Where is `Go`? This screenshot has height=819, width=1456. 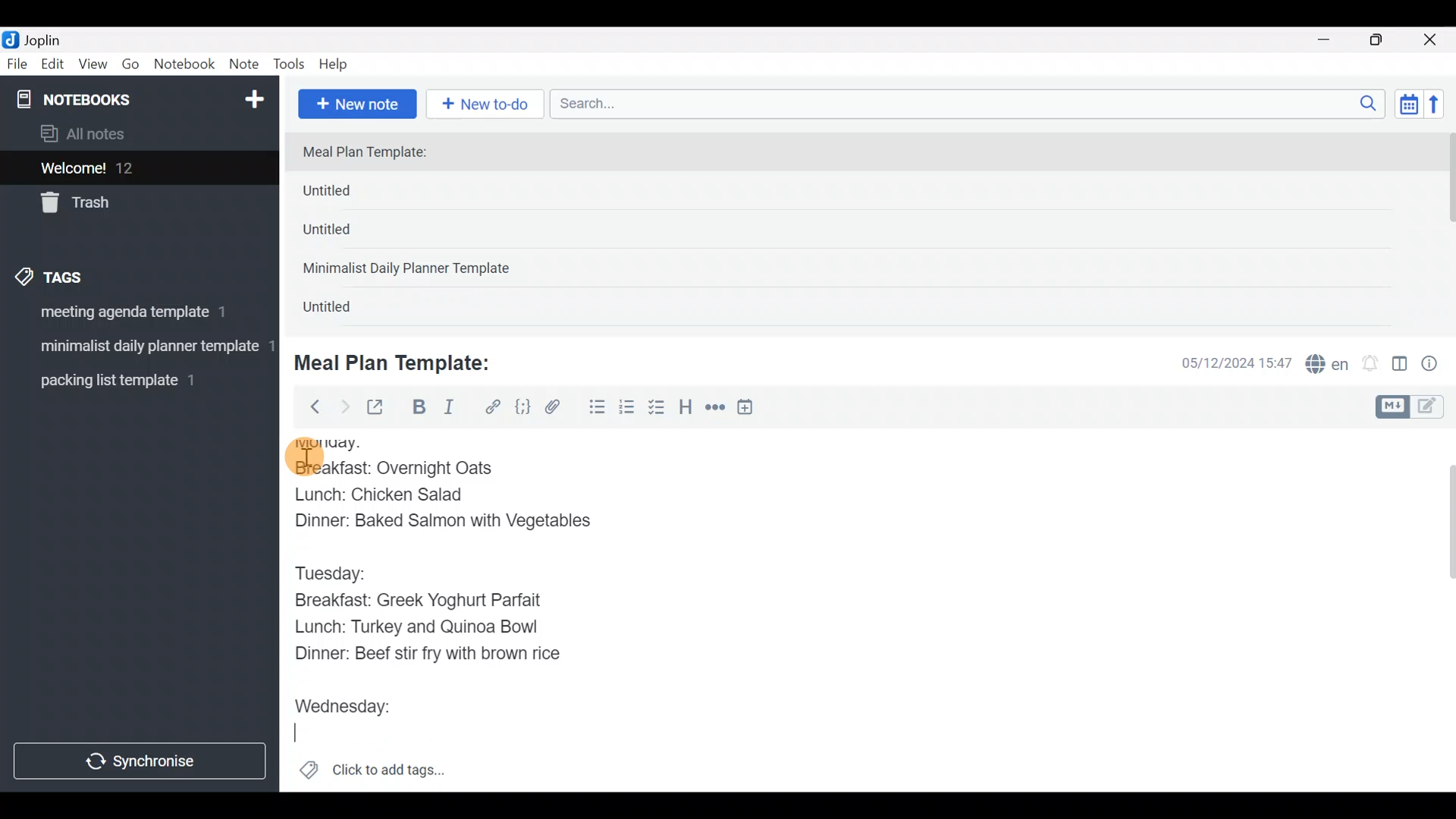
Go is located at coordinates (130, 67).